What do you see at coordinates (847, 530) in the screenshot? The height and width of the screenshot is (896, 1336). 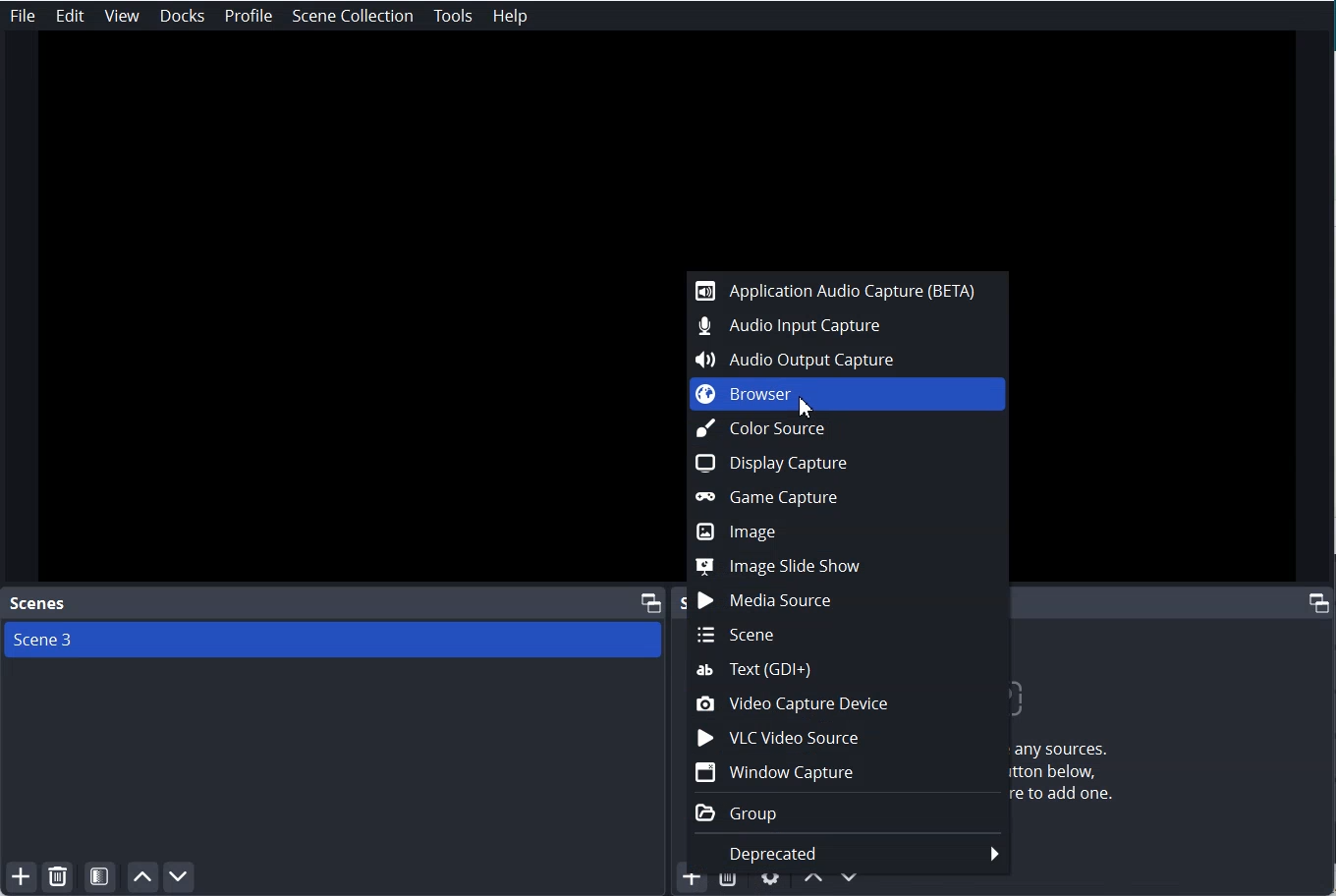 I see `Image` at bounding box center [847, 530].